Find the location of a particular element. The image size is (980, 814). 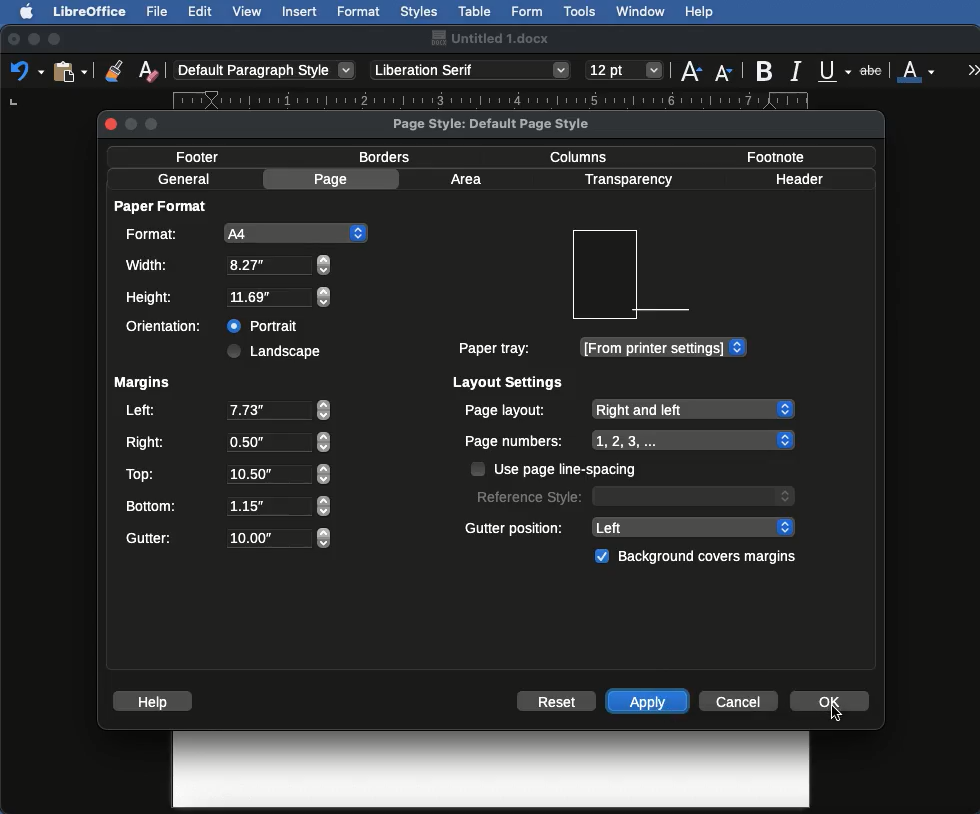

Paper format is located at coordinates (162, 205).